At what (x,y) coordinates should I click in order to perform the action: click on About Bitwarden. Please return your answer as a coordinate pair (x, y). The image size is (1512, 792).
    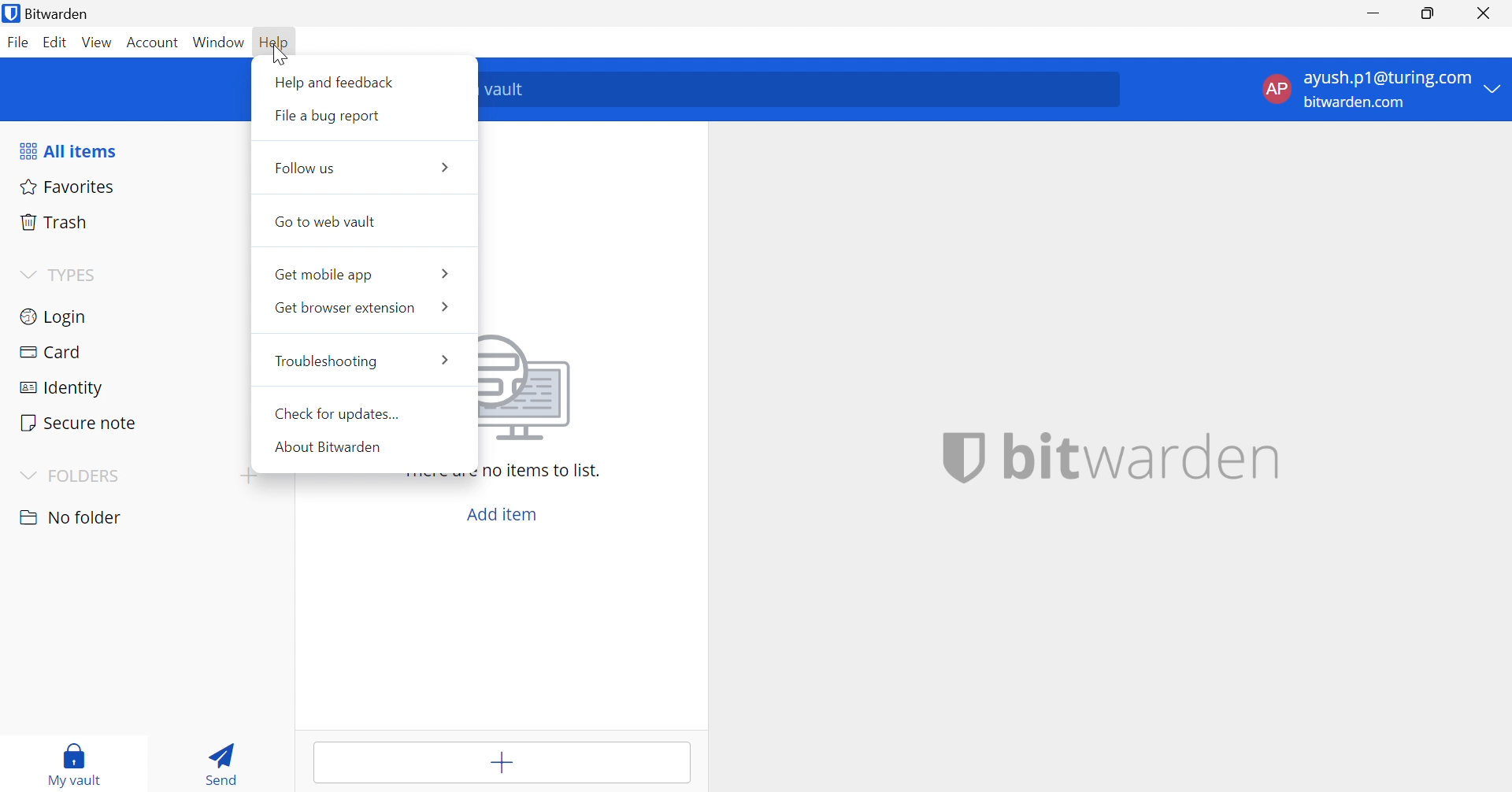
    Looking at the image, I should click on (332, 446).